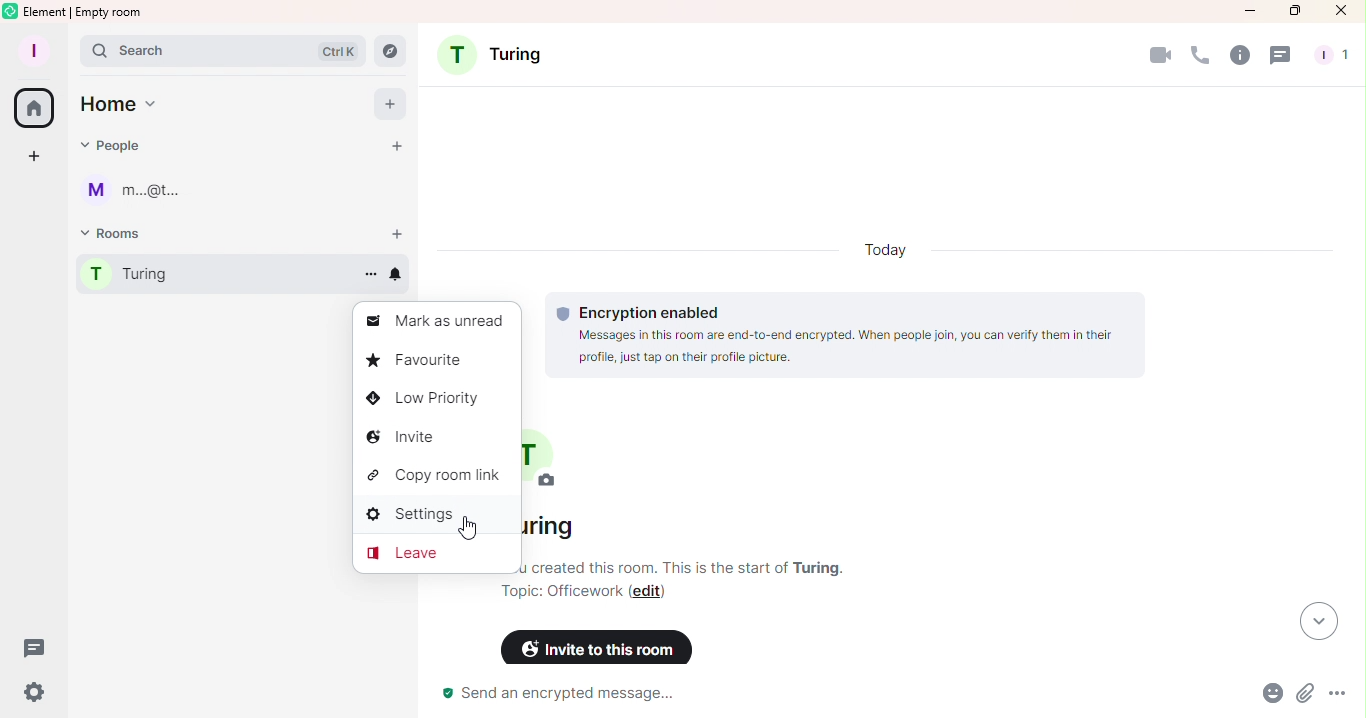 This screenshot has height=718, width=1366. What do you see at coordinates (409, 274) in the screenshot?
I see `Notification options` at bounding box center [409, 274].